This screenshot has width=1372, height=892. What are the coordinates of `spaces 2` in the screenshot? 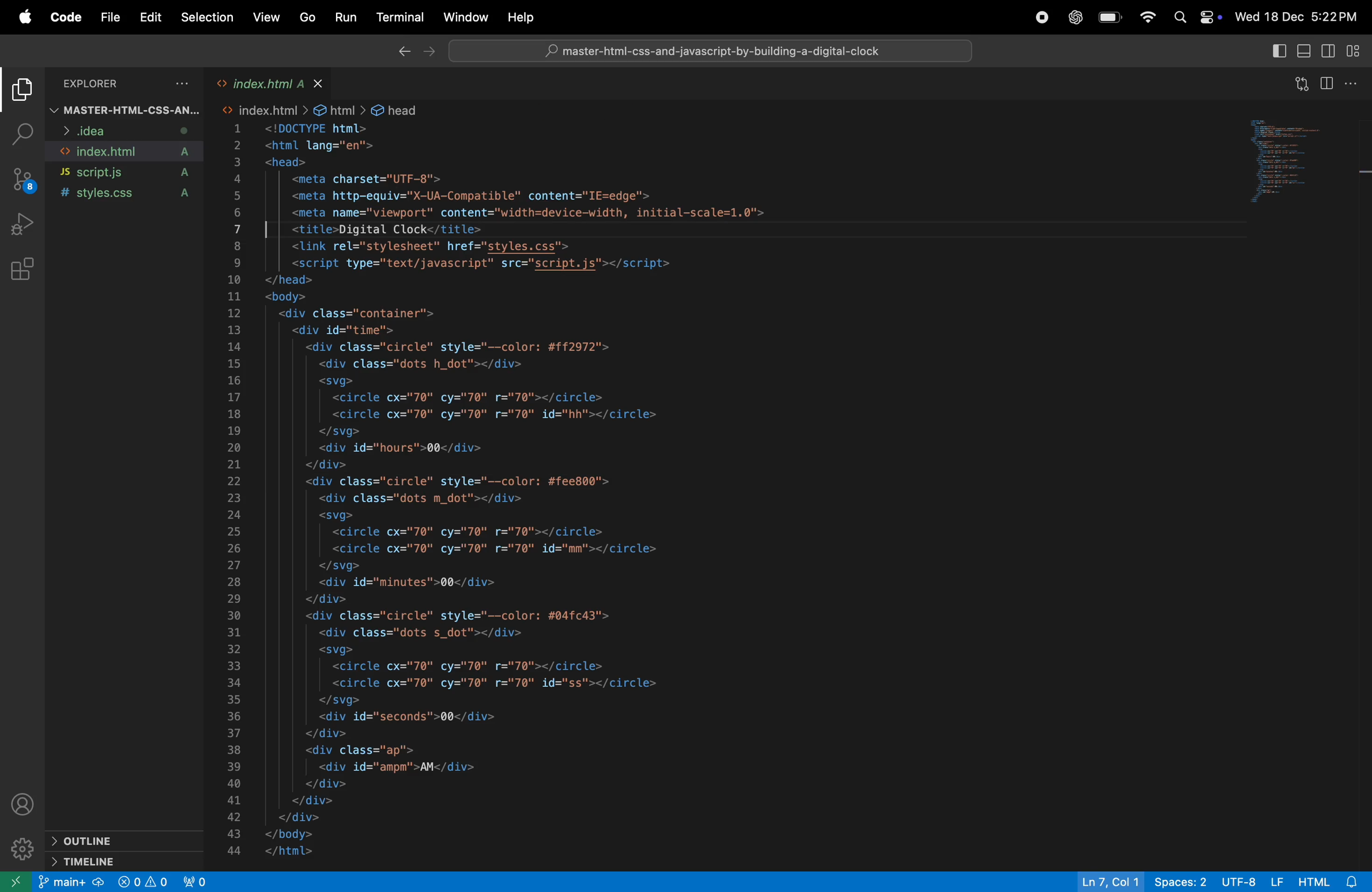 It's located at (1178, 882).